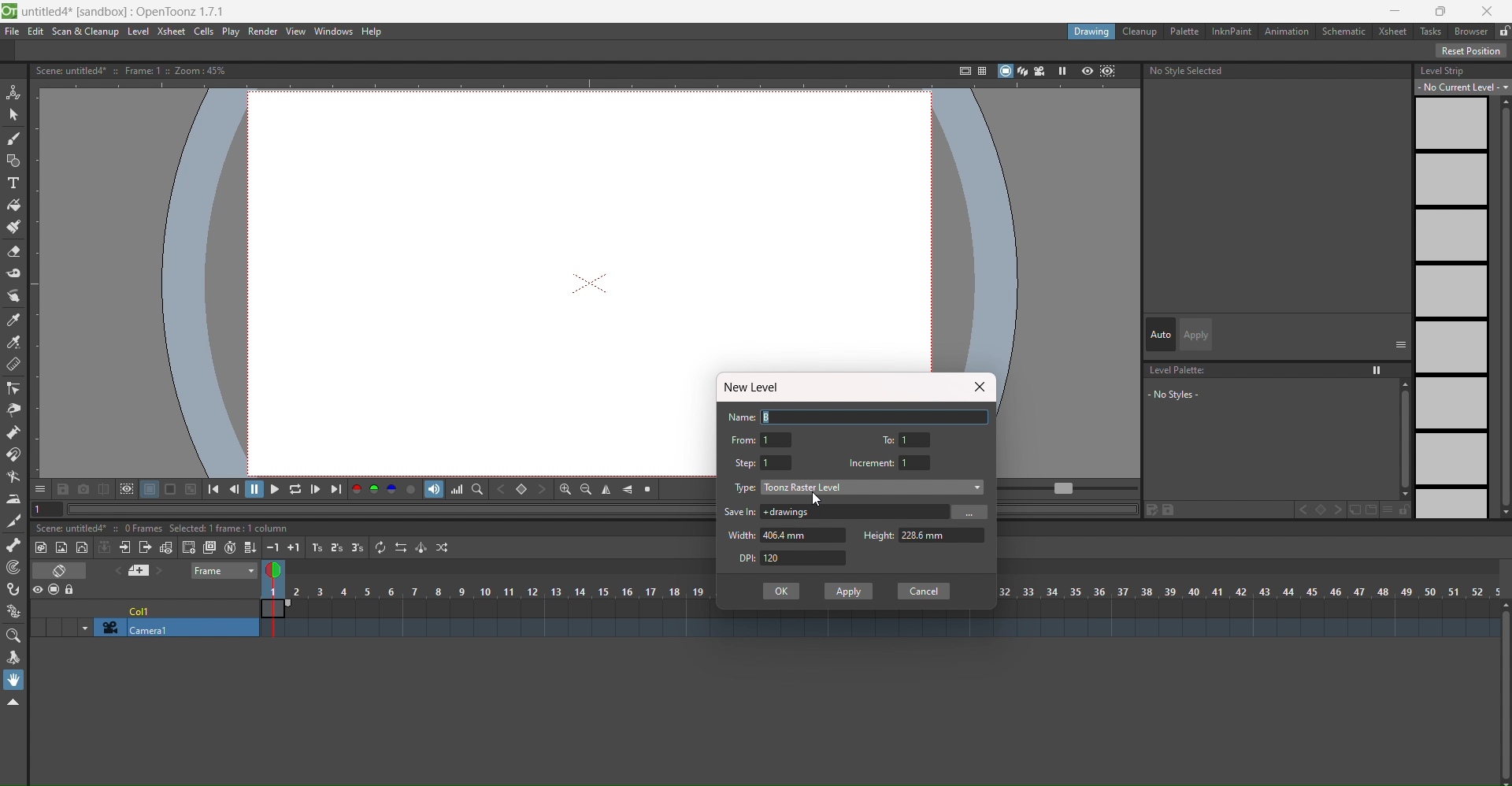 The height and width of the screenshot is (786, 1512). What do you see at coordinates (126, 489) in the screenshot?
I see `tool` at bounding box center [126, 489].